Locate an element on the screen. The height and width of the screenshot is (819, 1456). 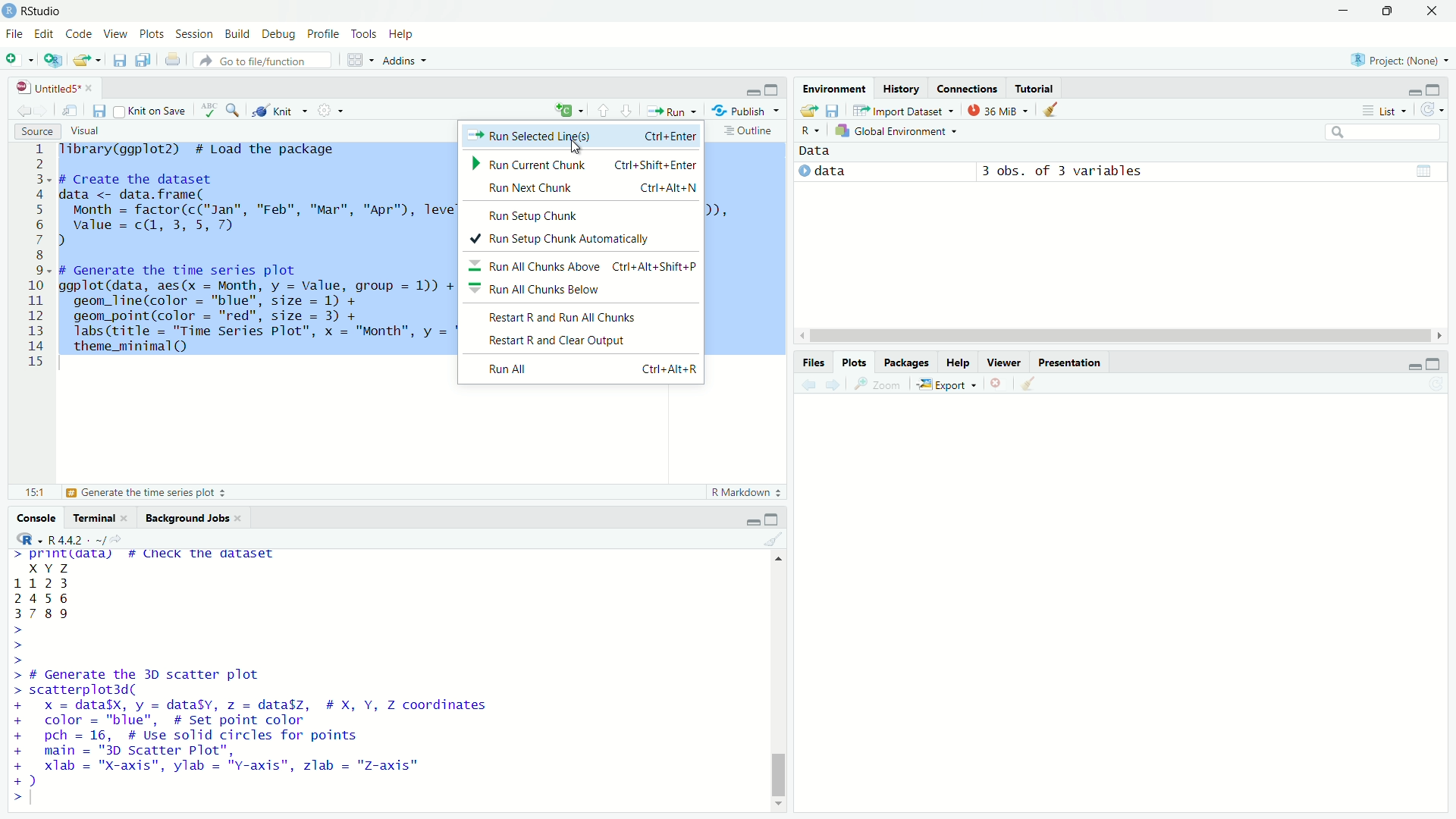
minimize is located at coordinates (1413, 89).